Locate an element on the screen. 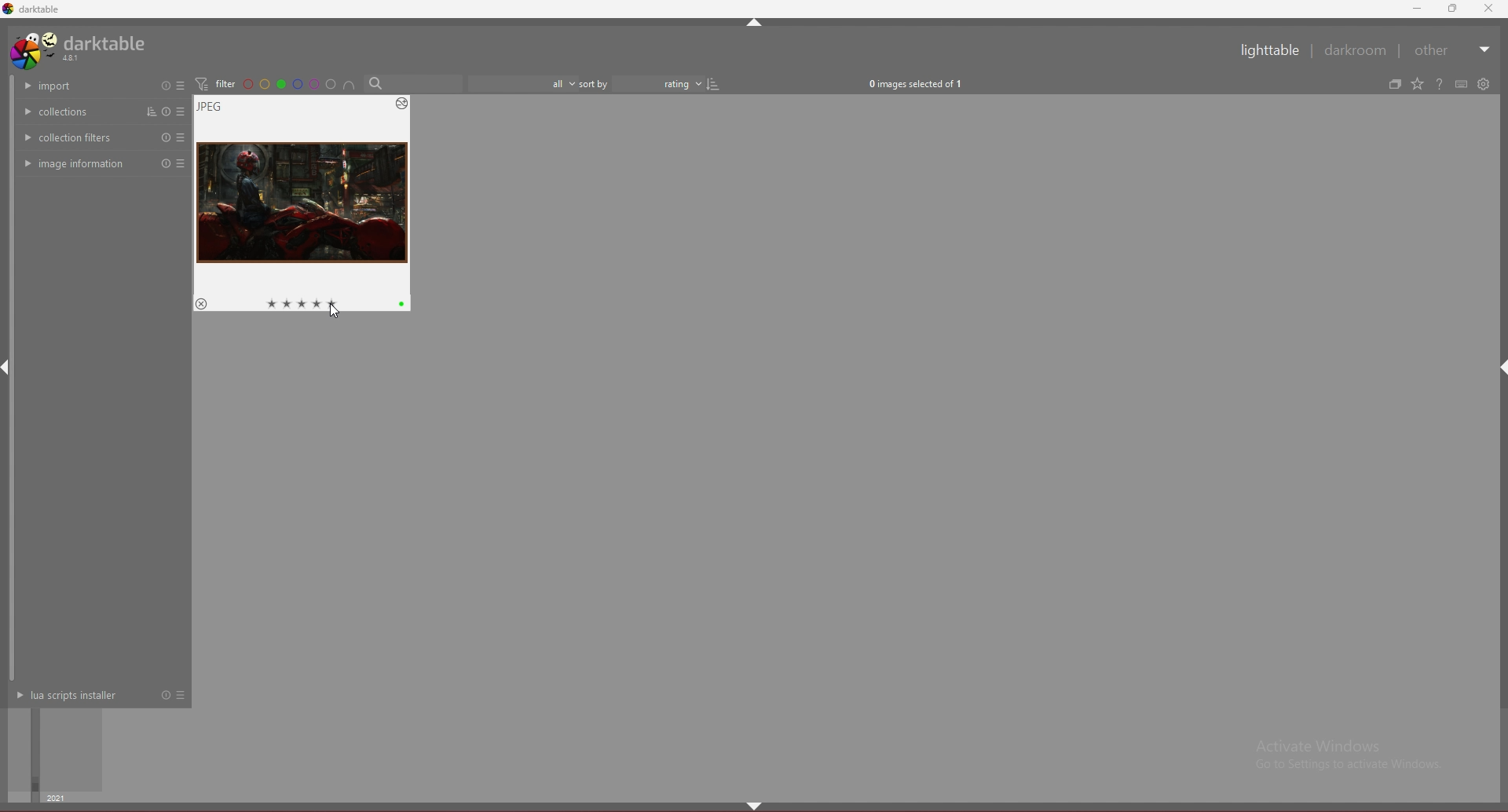 Image resolution: width=1508 pixels, height=812 pixels. color filter is located at coordinates (291, 84).